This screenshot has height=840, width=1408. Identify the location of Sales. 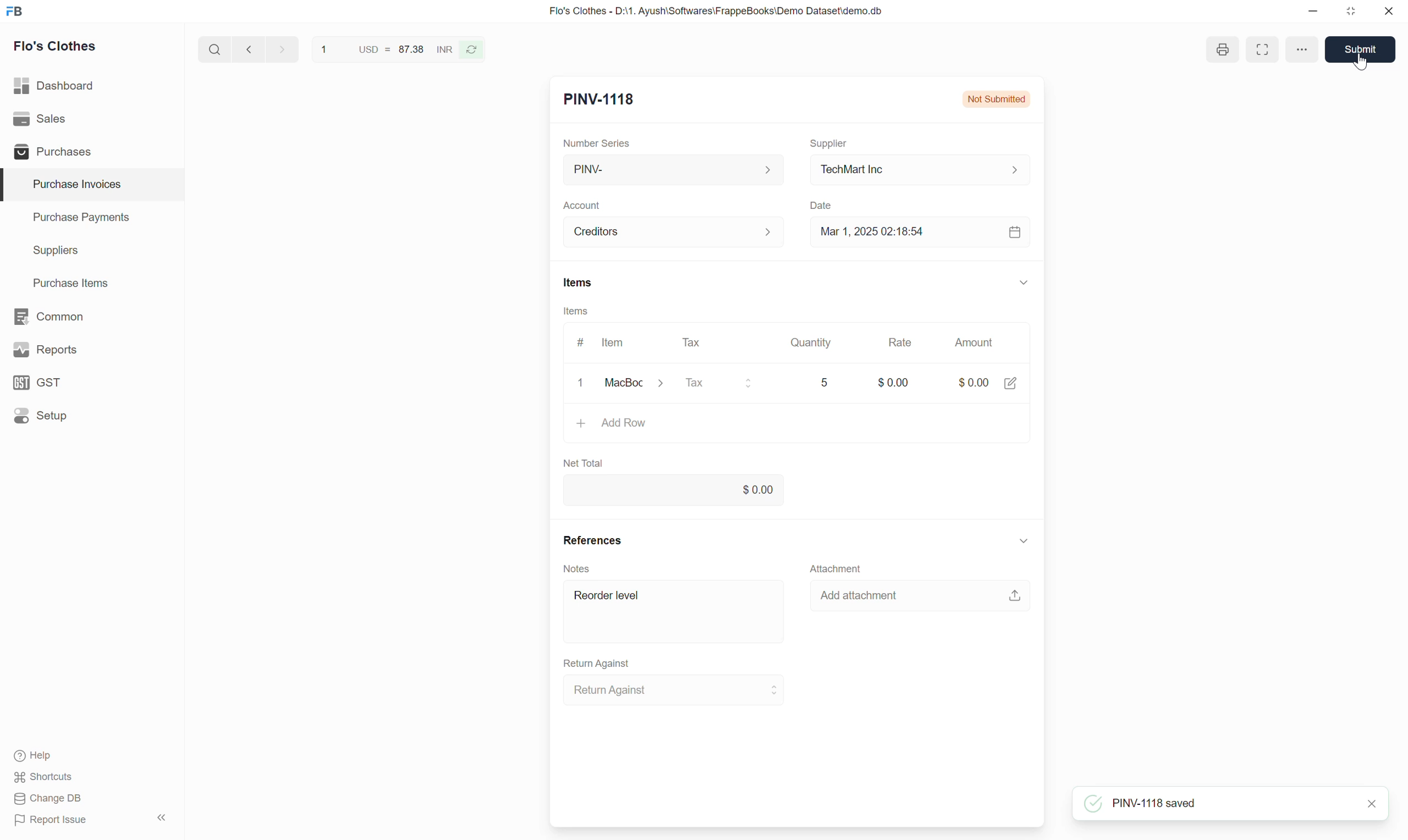
(92, 119).